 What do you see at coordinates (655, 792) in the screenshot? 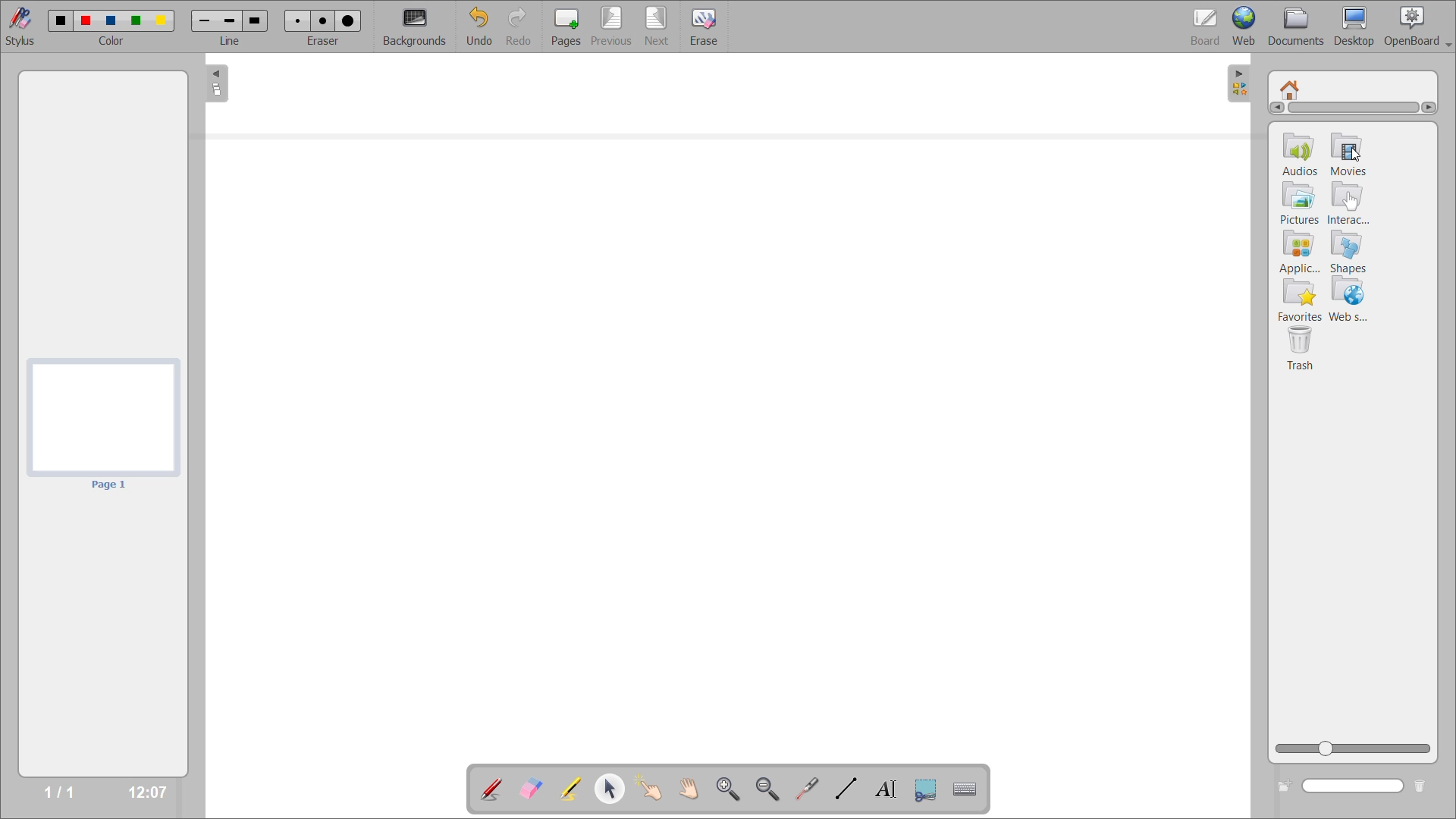
I see `interact with items` at bounding box center [655, 792].